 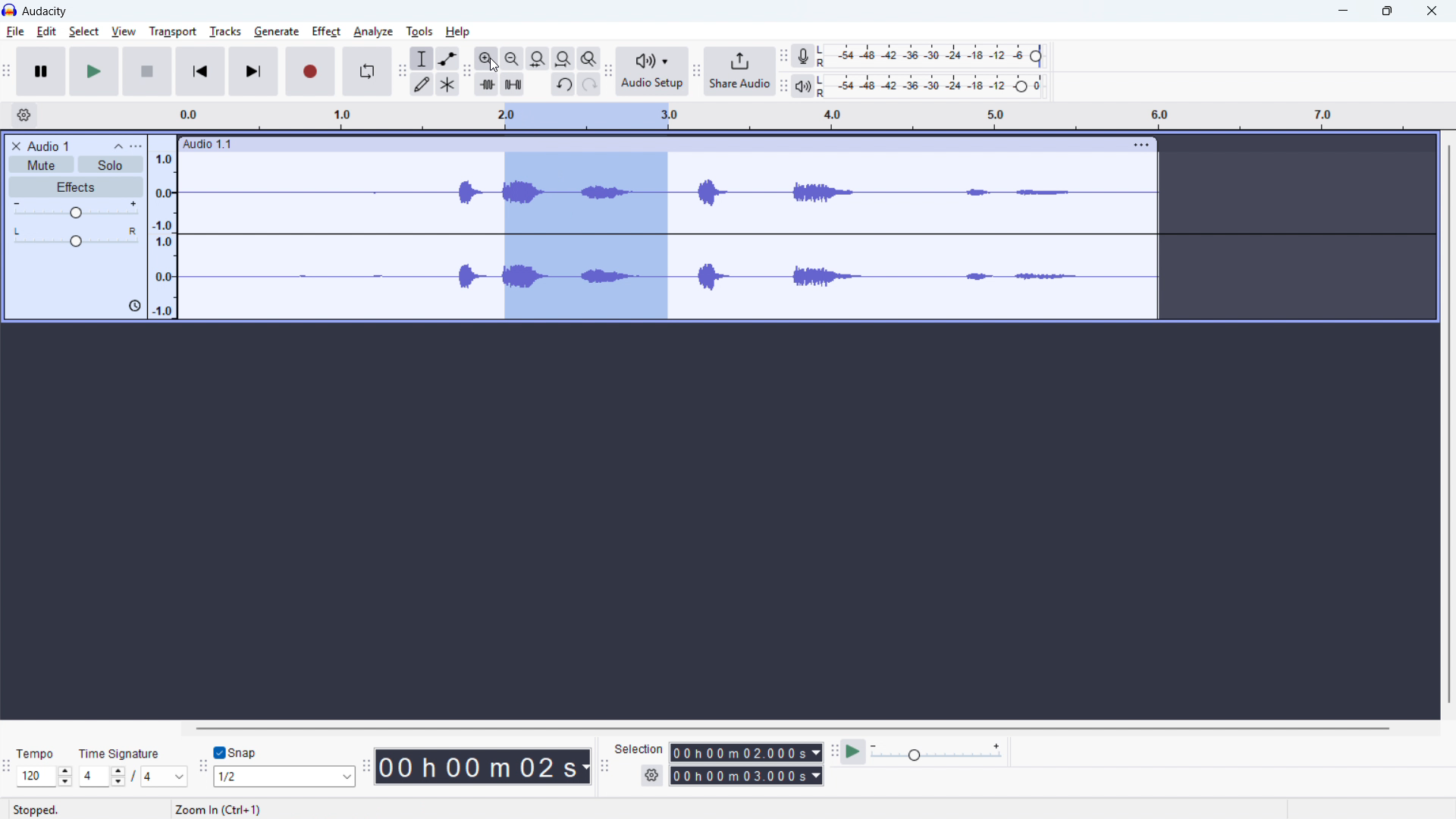 I want to click on File, so click(x=14, y=32).